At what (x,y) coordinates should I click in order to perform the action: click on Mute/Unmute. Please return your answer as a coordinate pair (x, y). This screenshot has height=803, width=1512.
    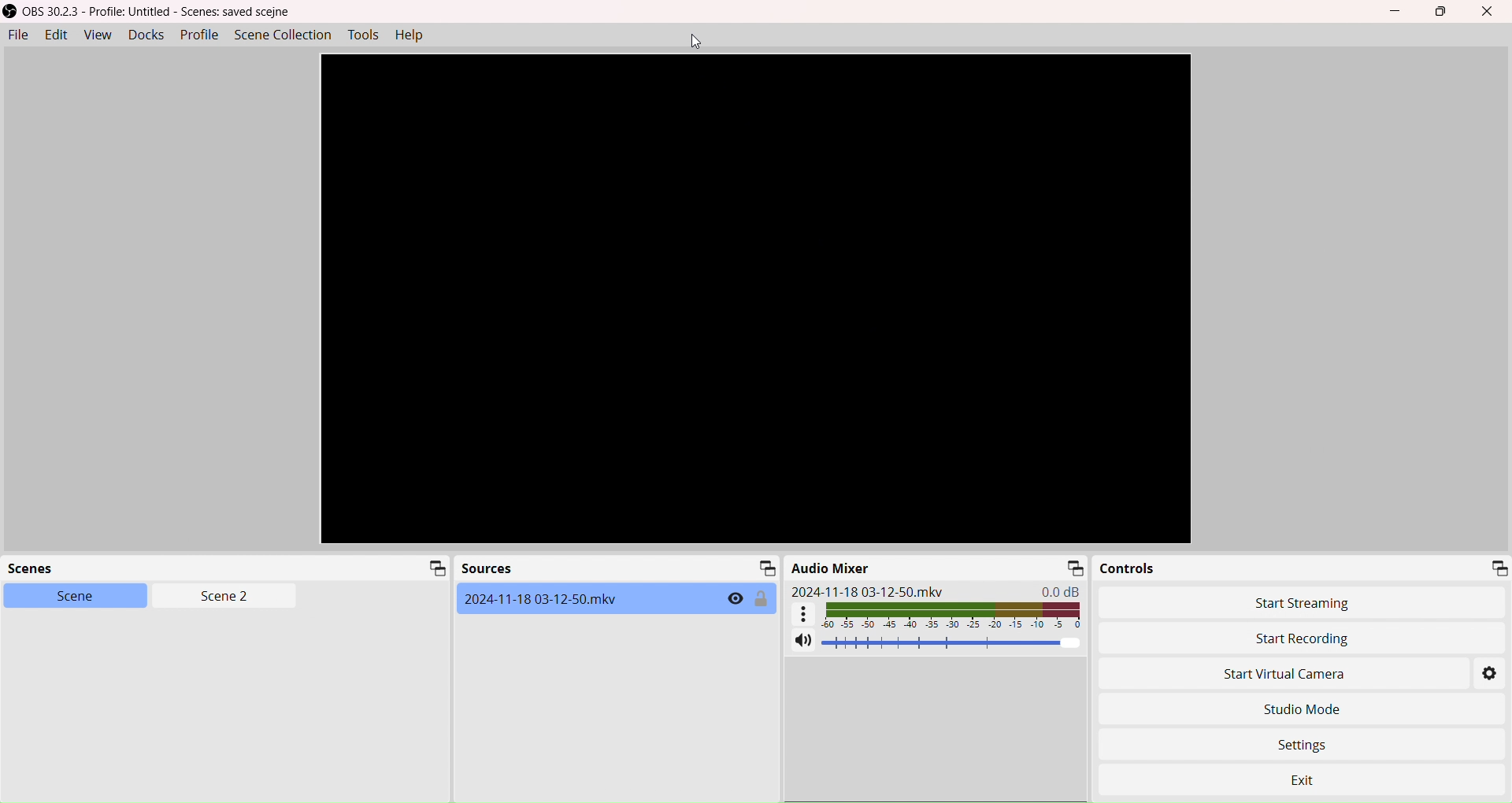
    Looking at the image, I should click on (802, 642).